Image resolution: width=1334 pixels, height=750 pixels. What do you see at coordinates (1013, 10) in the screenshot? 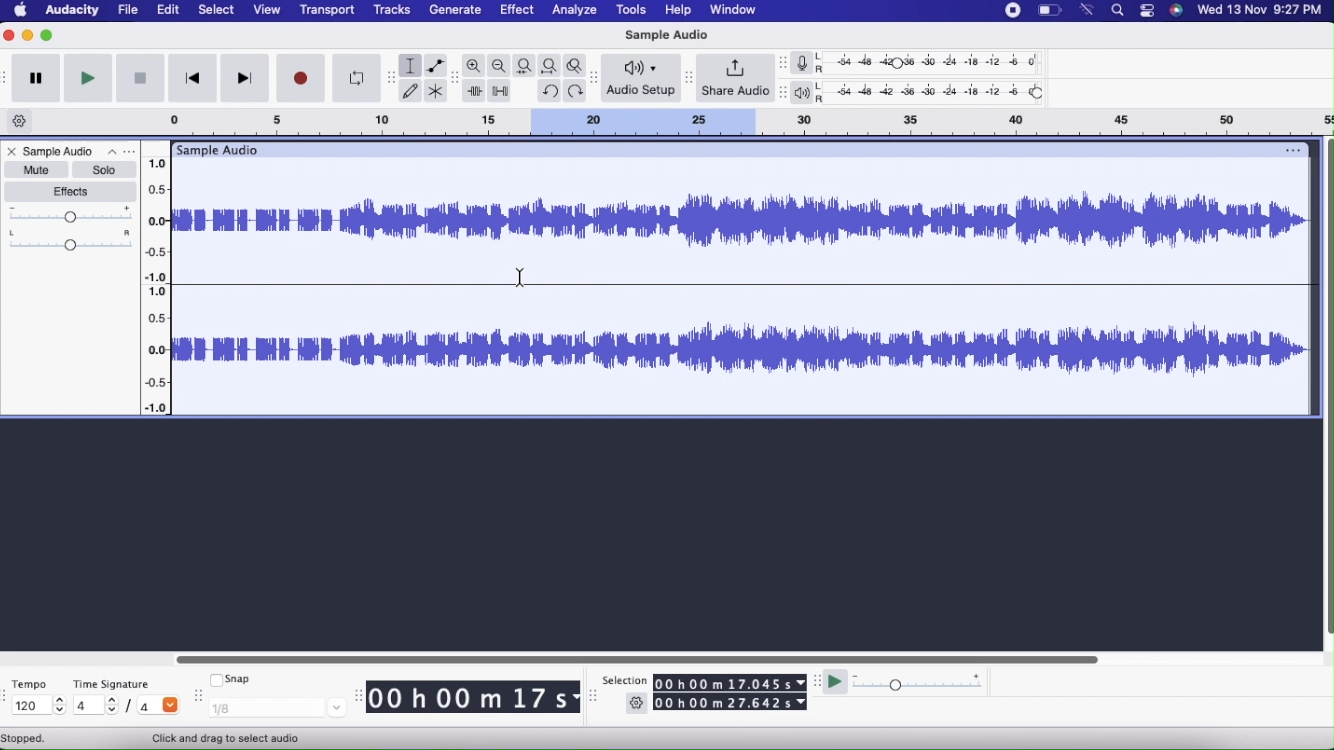
I see `menu` at bounding box center [1013, 10].